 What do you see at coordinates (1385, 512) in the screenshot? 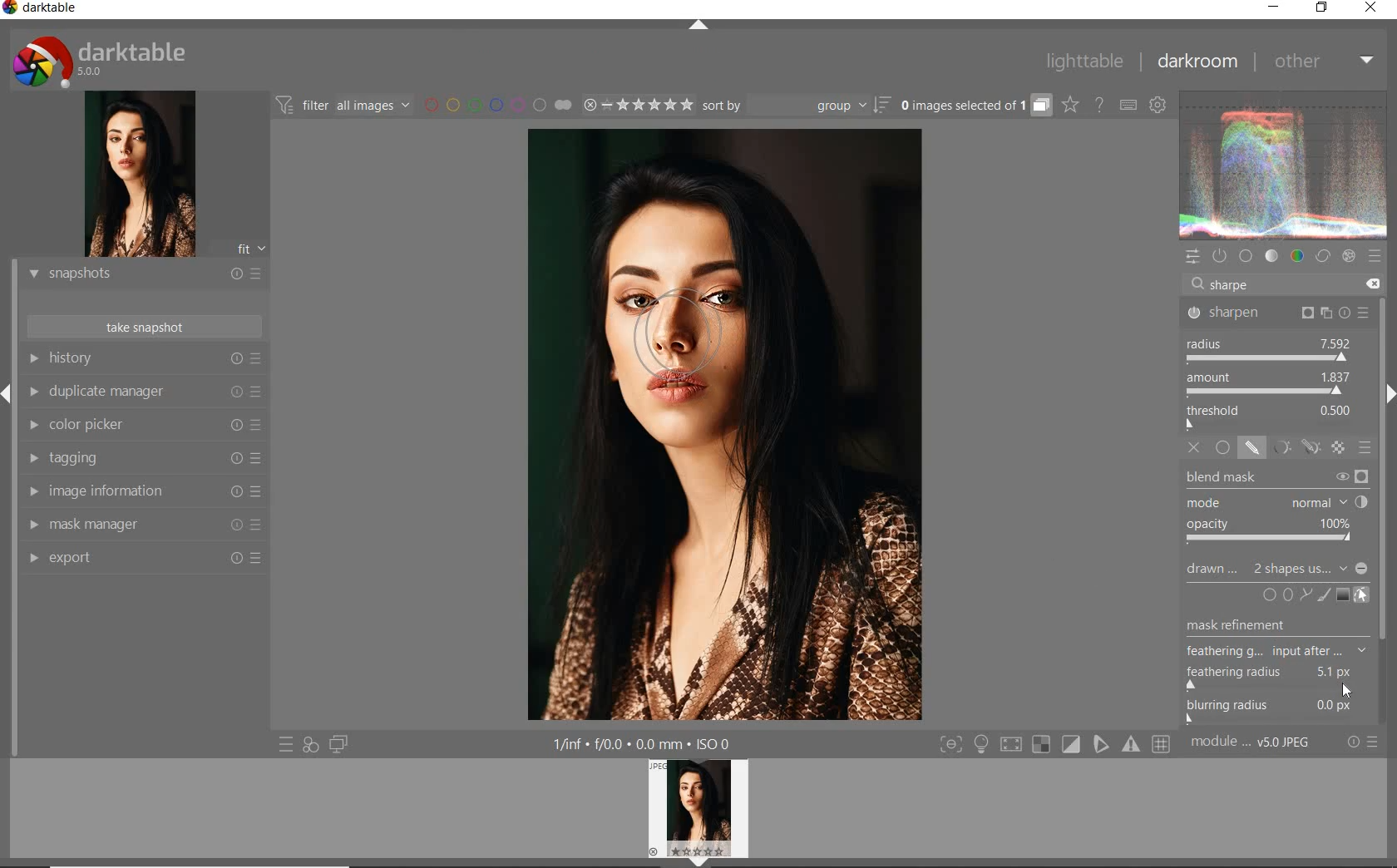
I see `task bar` at bounding box center [1385, 512].